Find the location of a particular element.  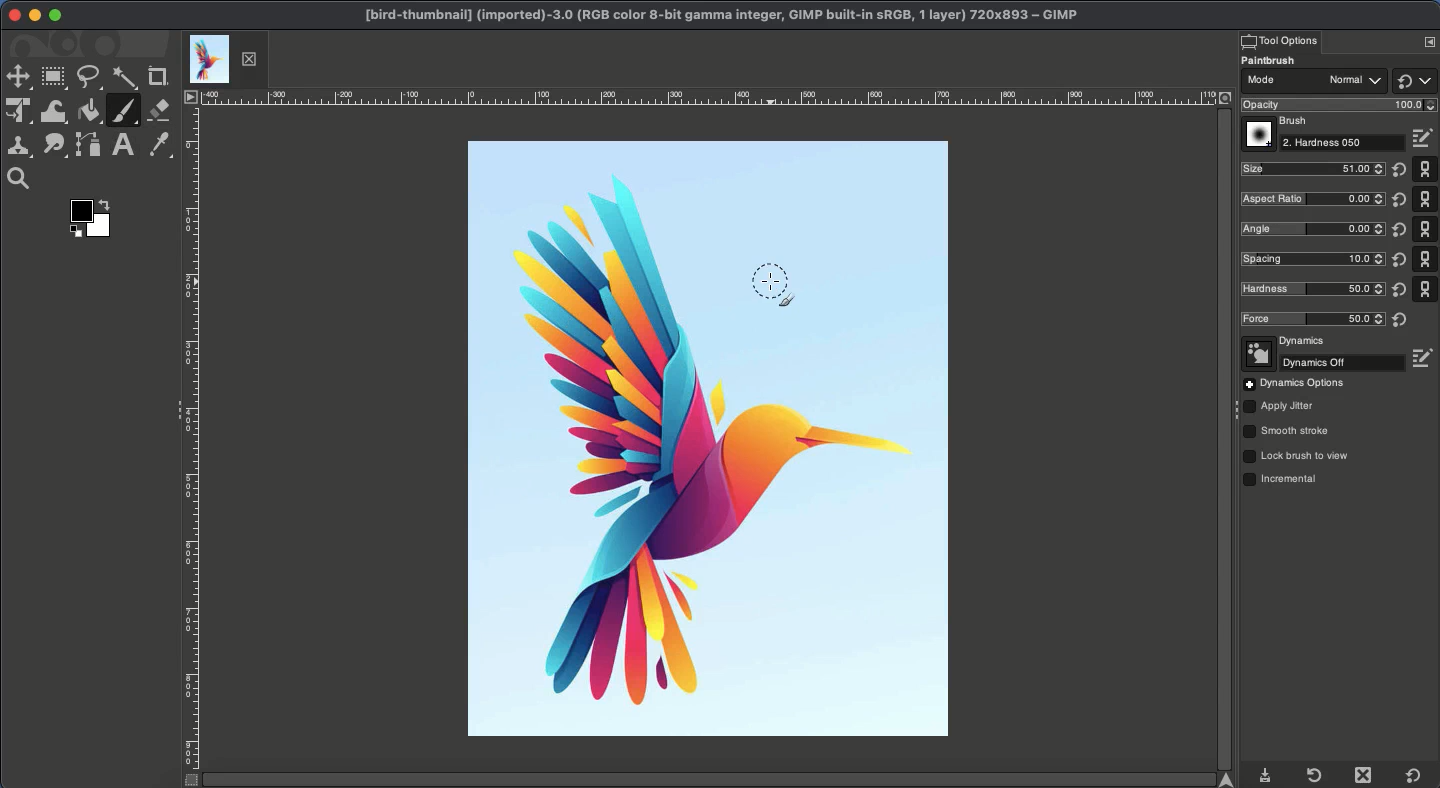

Tool options is located at coordinates (1279, 40).